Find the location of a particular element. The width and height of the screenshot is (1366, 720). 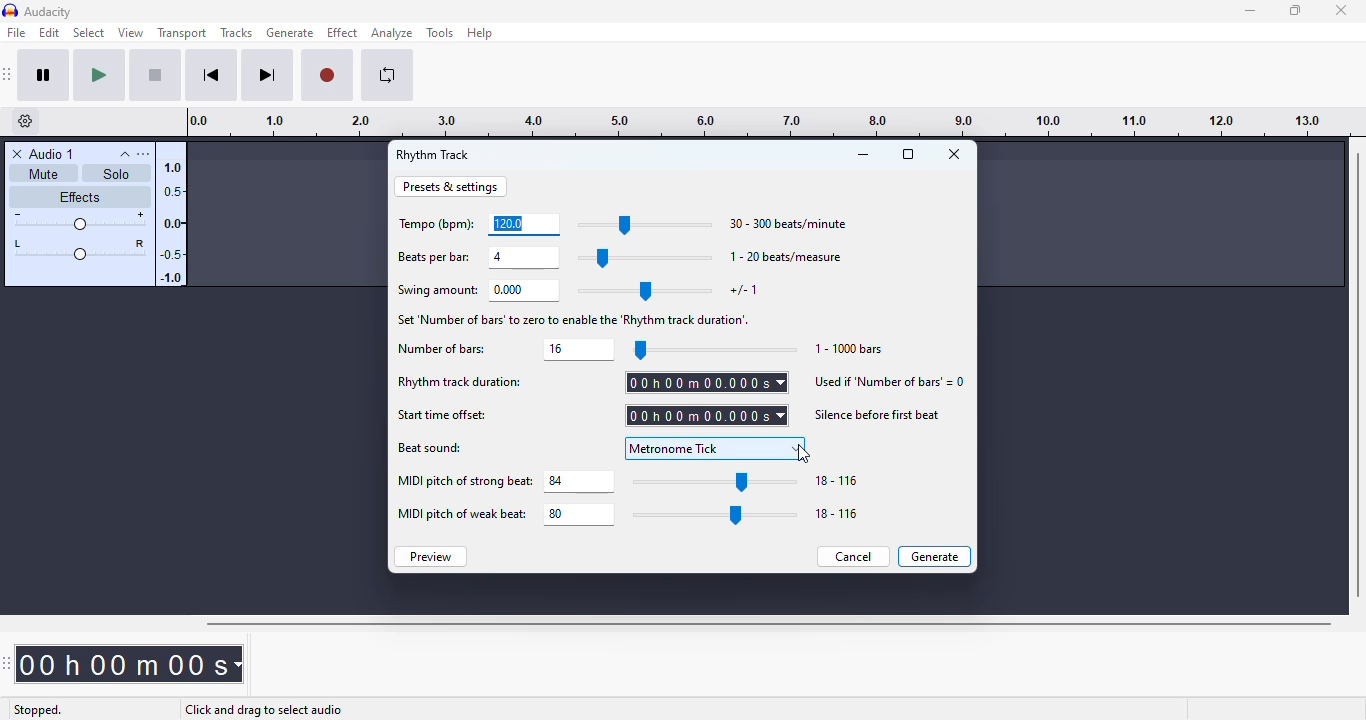

minimize is located at coordinates (1252, 11).